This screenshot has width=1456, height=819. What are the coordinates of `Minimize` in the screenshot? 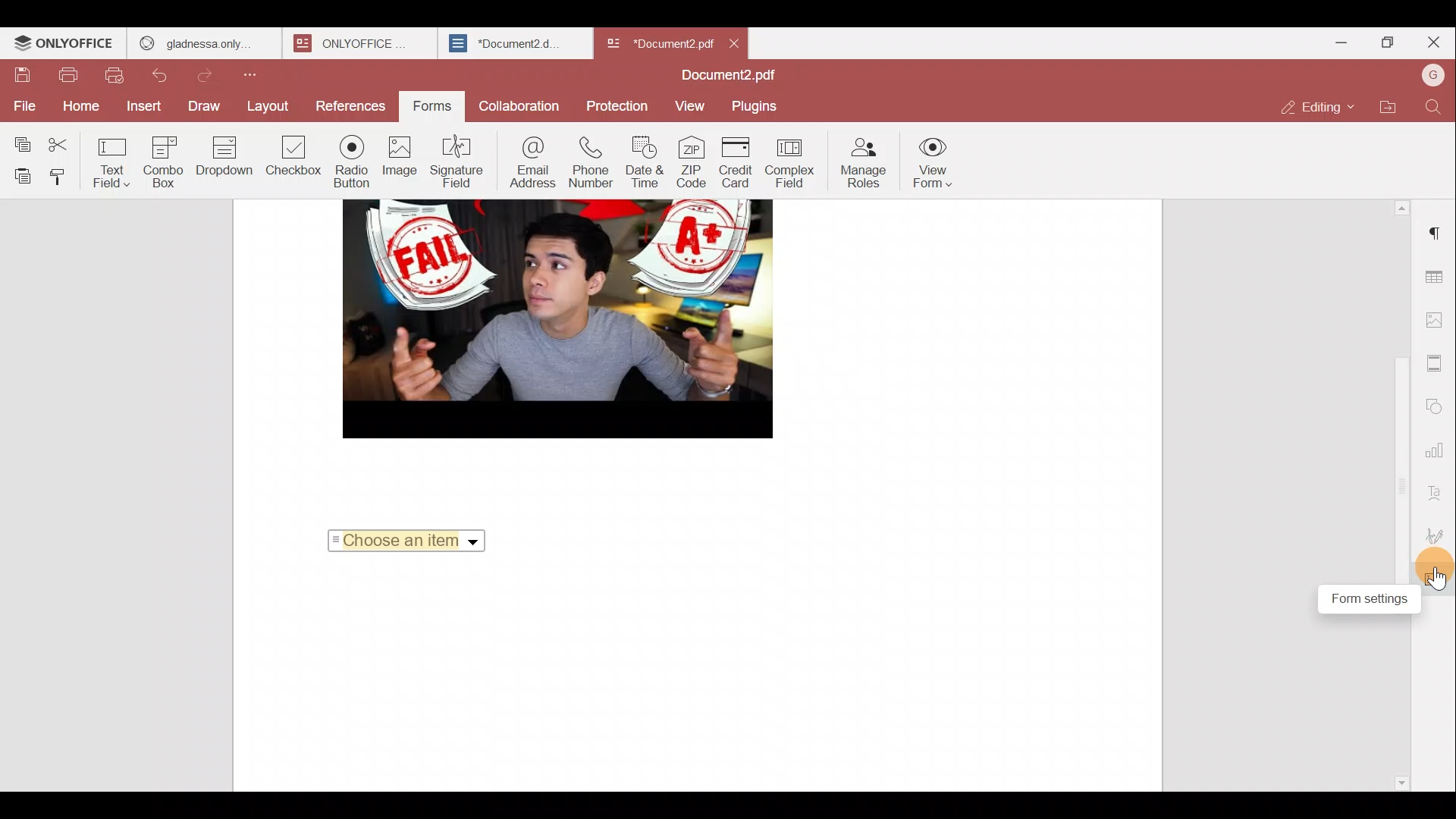 It's located at (1329, 45).